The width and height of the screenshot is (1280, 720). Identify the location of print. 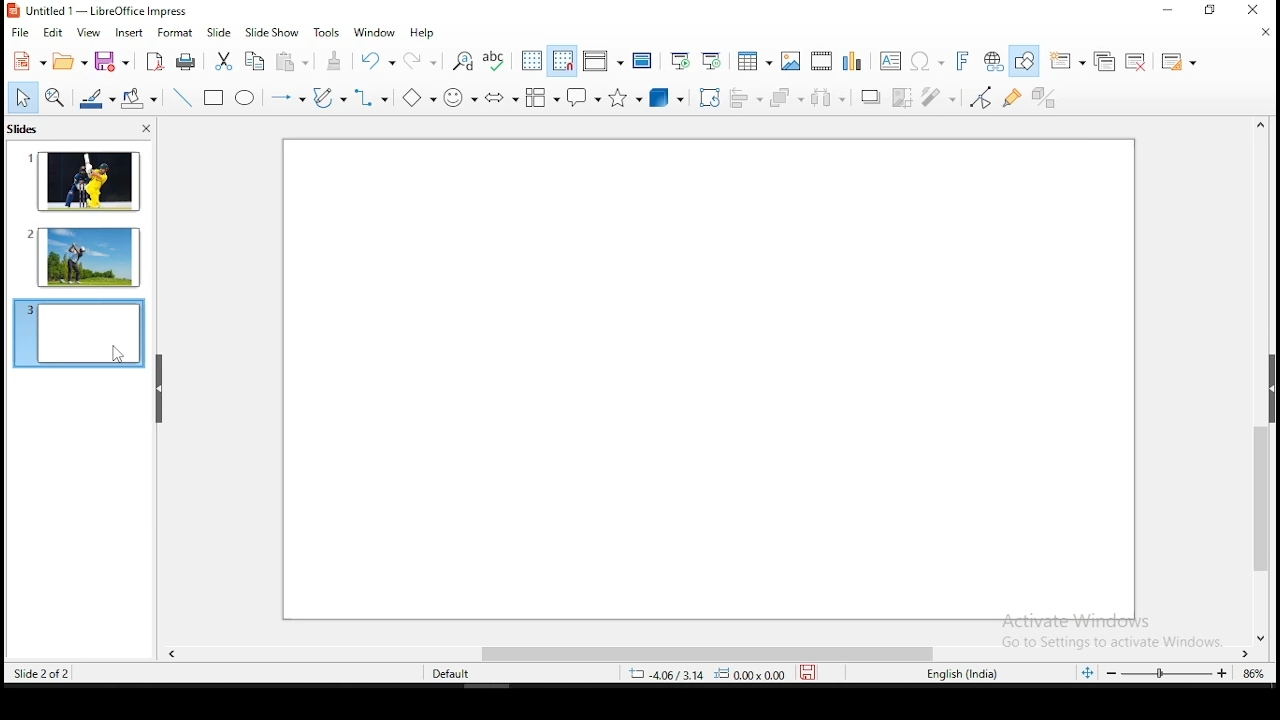
(186, 61).